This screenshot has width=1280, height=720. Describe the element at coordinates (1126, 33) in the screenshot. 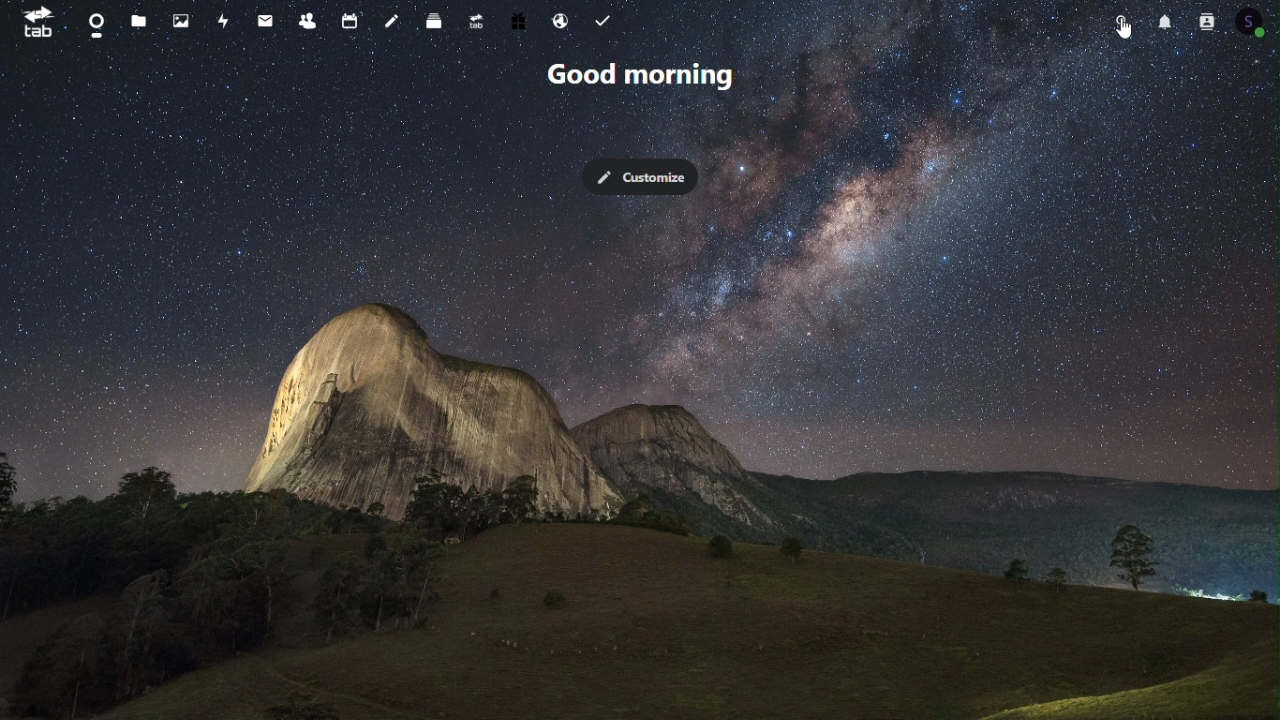

I see `cursor` at that location.